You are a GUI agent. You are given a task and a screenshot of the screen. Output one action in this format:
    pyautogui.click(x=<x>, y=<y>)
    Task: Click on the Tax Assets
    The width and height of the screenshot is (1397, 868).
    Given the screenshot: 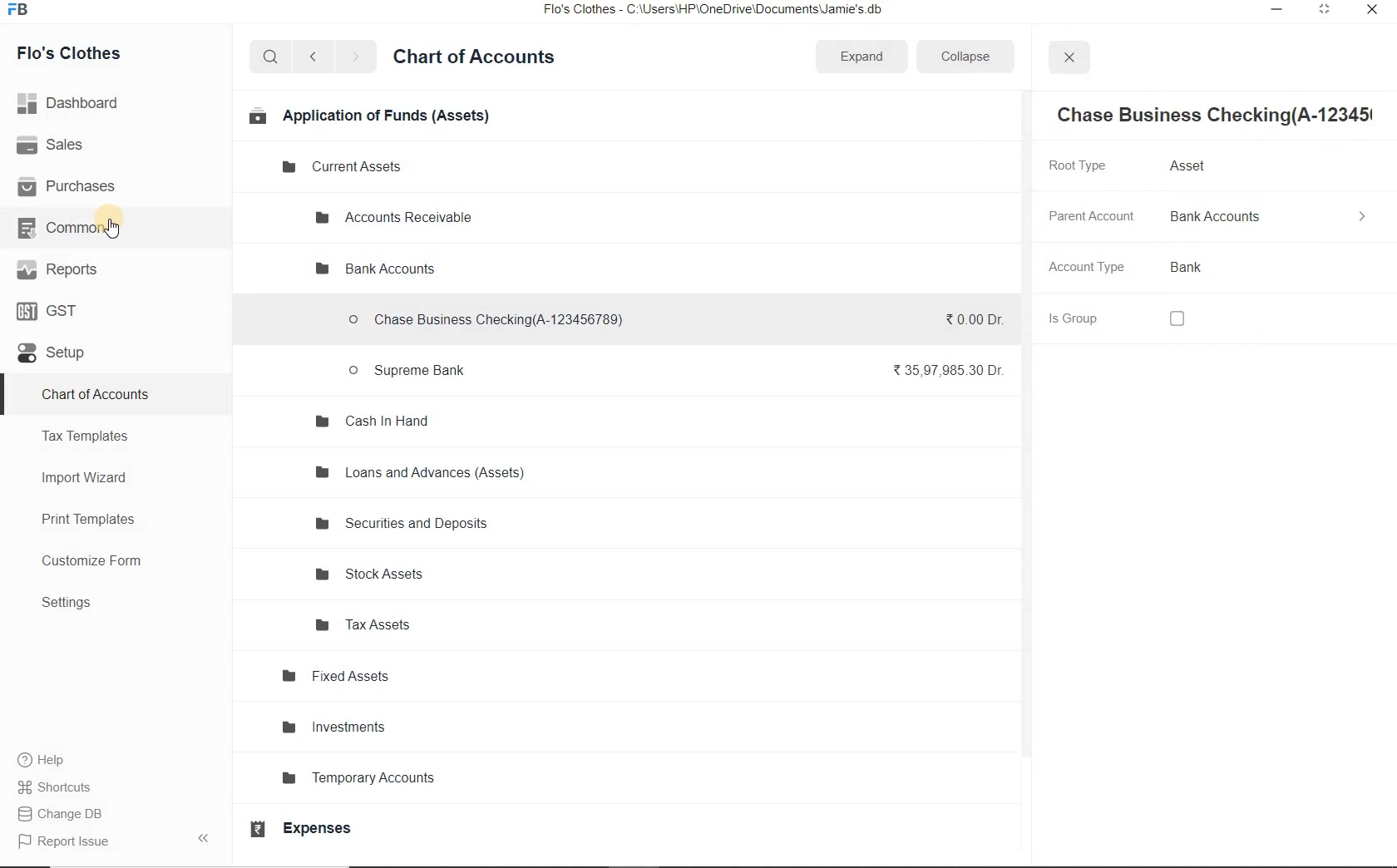 What is the action you would take?
    pyautogui.click(x=393, y=629)
    